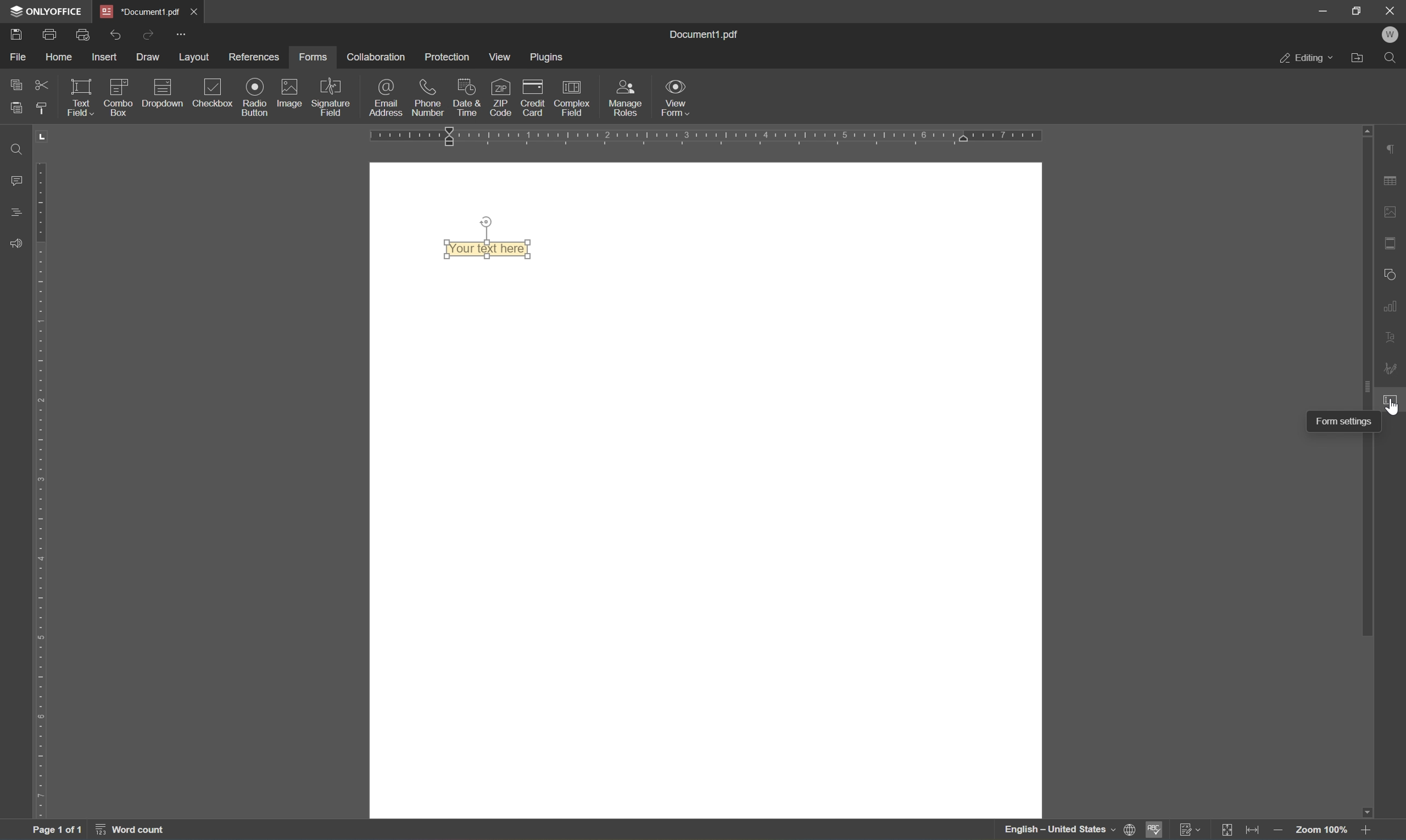  Describe the element at coordinates (183, 35) in the screenshot. I see `more` at that location.